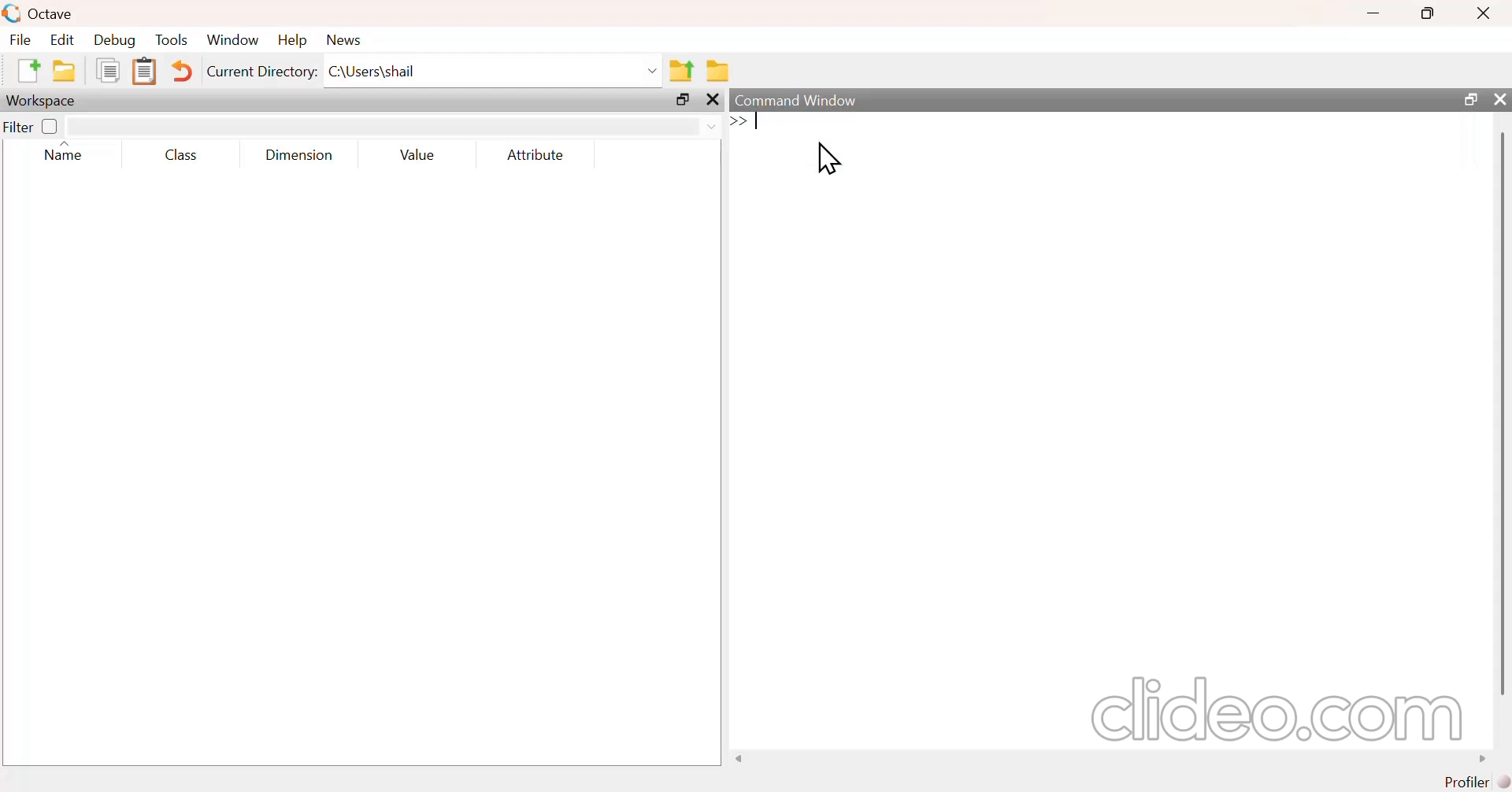 Image resolution: width=1512 pixels, height=792 pixels. I want to click on Octave, so click(54, 12).